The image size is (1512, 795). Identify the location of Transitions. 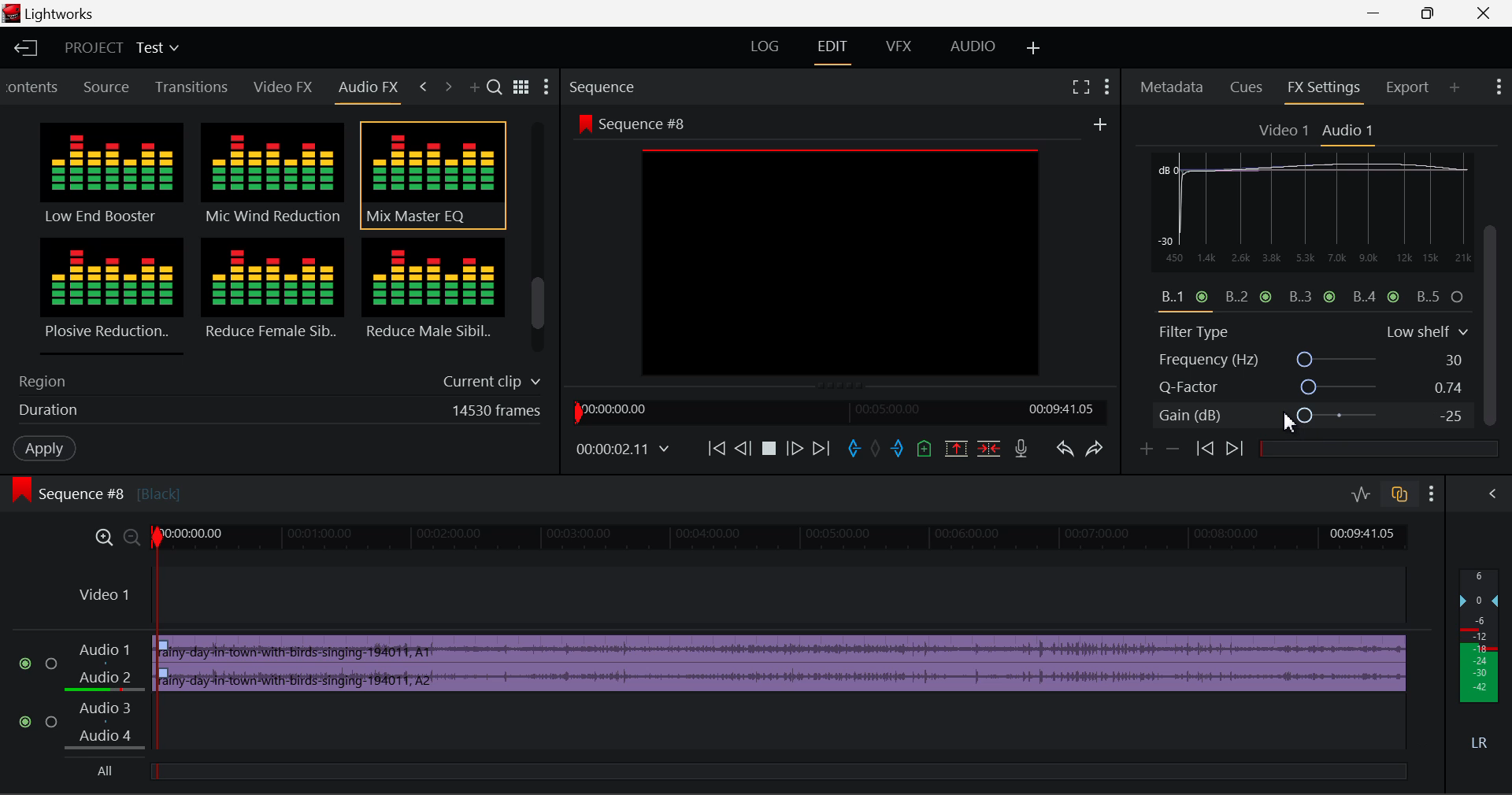
(192, 87).